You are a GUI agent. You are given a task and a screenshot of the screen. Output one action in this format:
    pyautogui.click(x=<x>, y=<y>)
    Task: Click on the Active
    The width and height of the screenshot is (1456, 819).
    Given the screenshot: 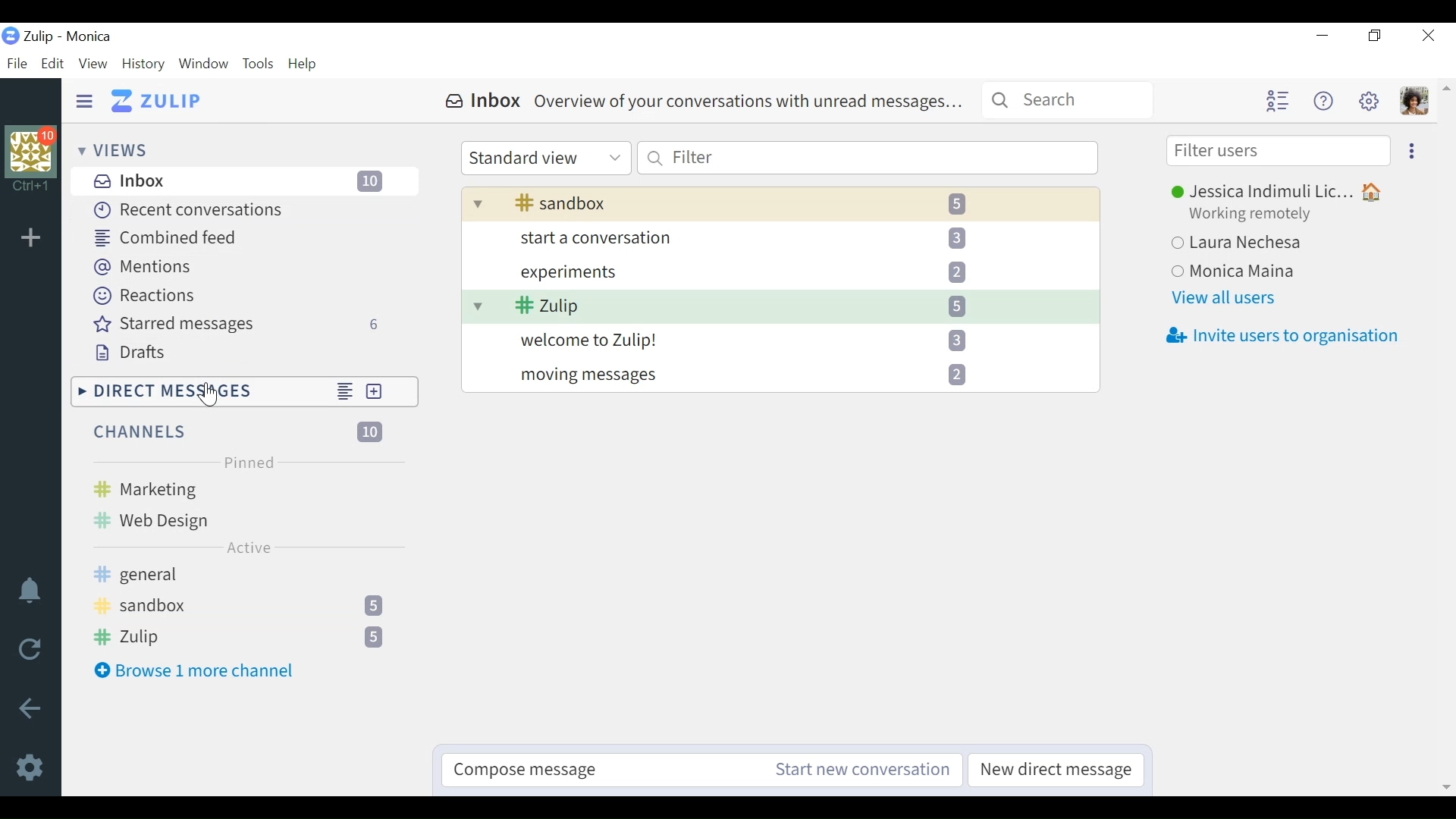 What is the action you would take?
    pyautogui.click(x=248, y=548)
    